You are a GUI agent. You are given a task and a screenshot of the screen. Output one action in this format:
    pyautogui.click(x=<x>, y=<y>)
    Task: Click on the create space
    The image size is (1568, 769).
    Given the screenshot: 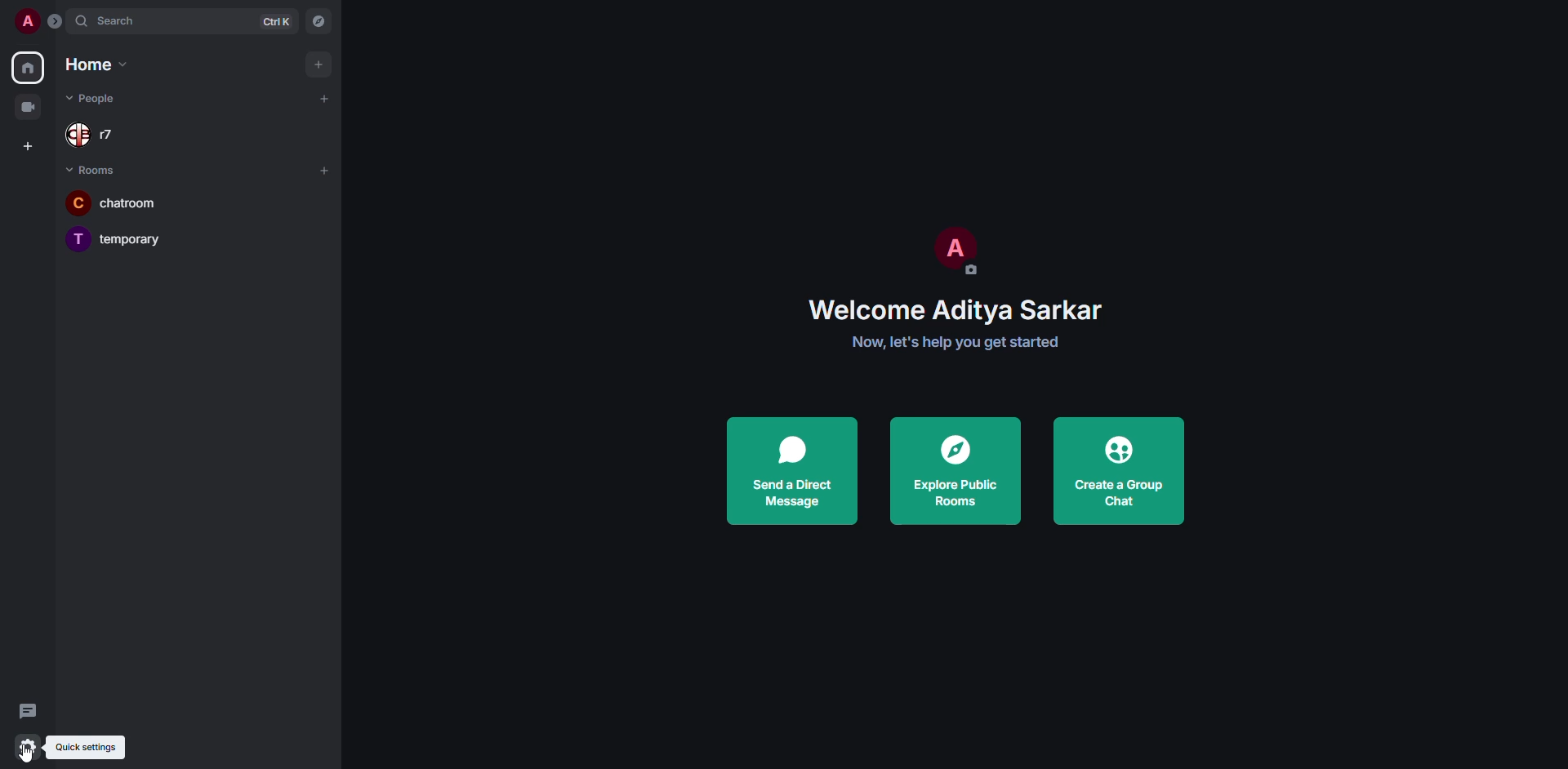 What is the action you would take?
    pyautogui.click(x=25, y=147)
    